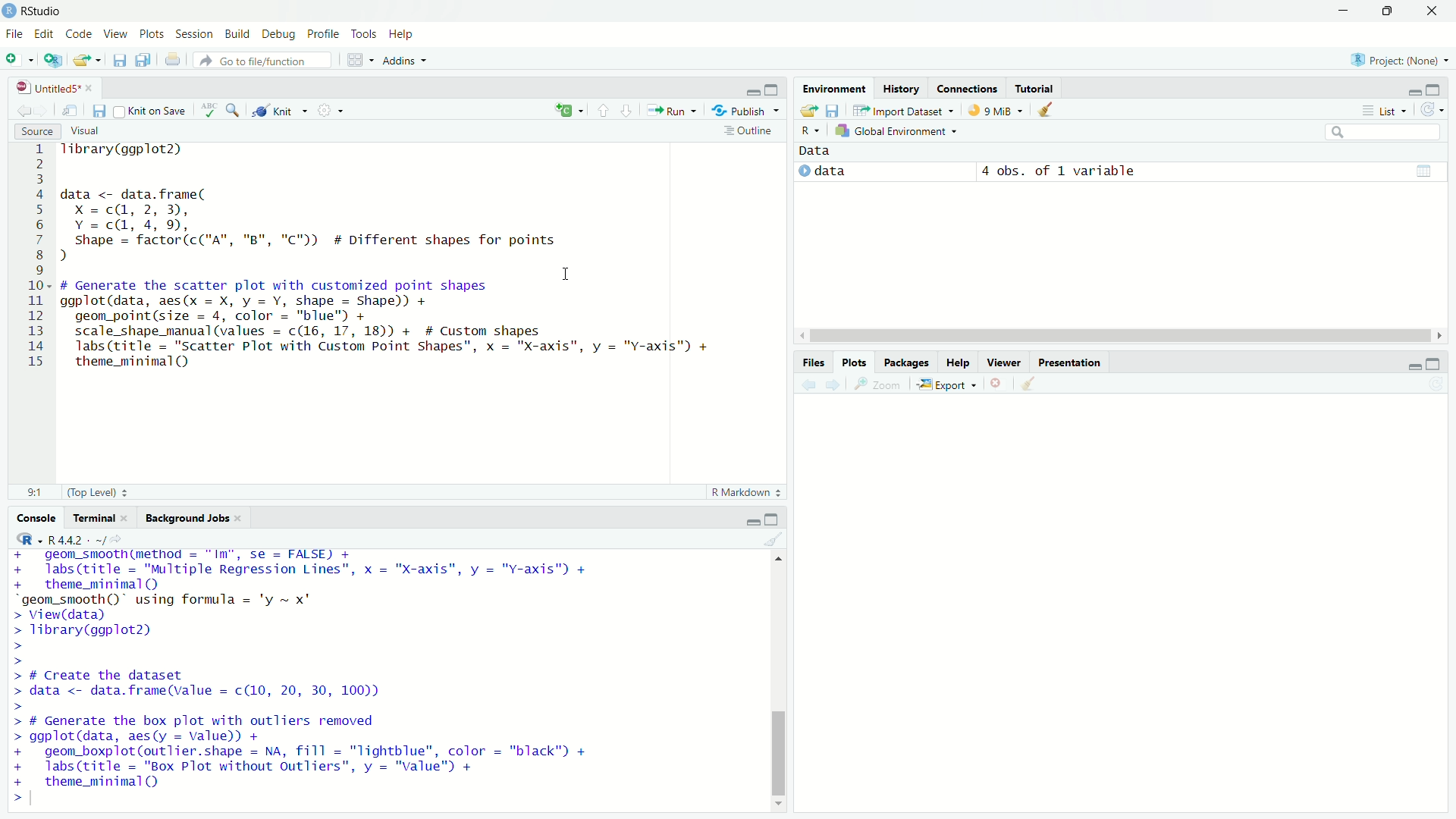 This screenshot has width=1456, height=819. I want to click on R, so click(28, 539).